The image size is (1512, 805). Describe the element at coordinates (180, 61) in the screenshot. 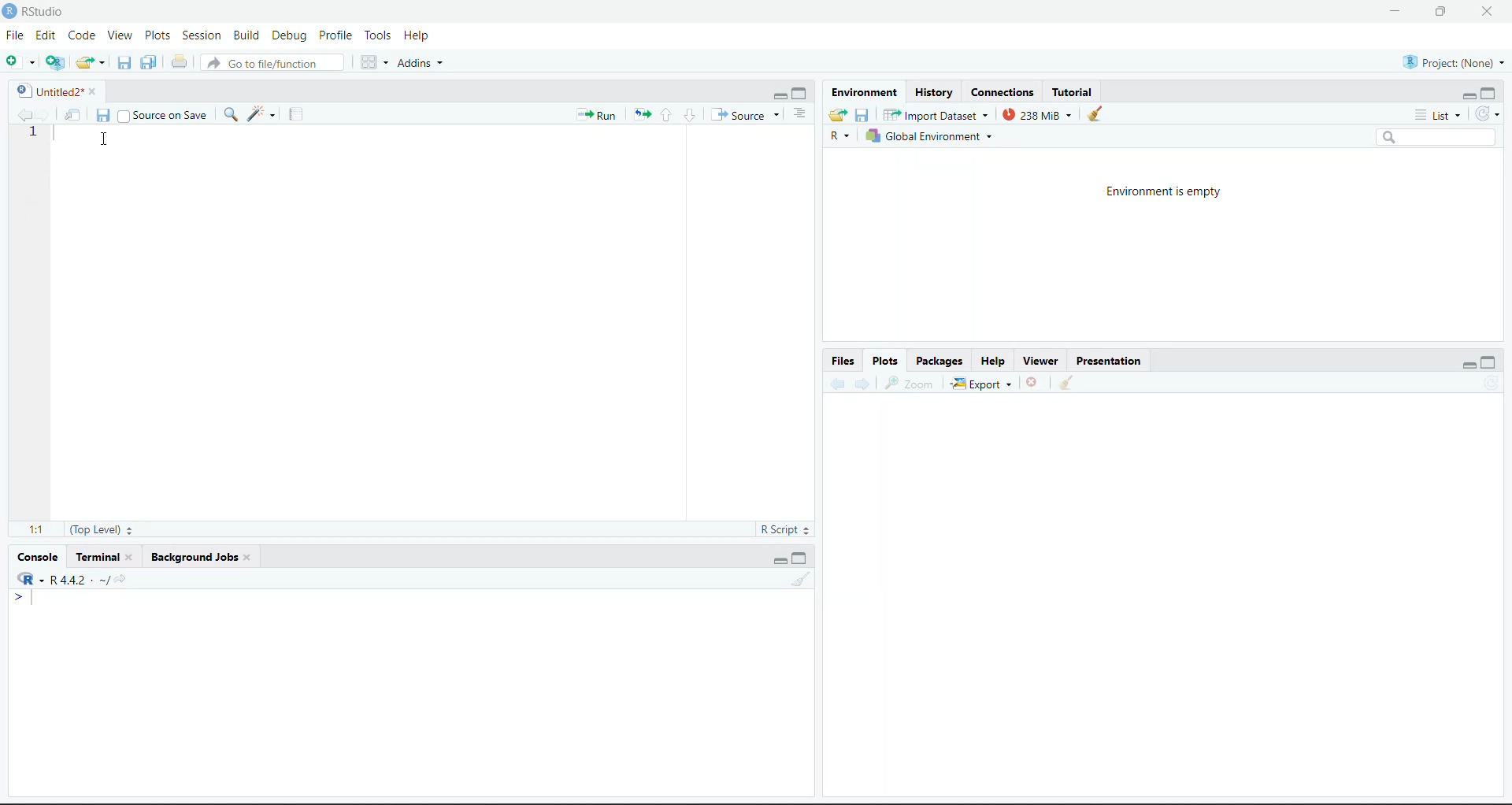

I see `print` at that location.